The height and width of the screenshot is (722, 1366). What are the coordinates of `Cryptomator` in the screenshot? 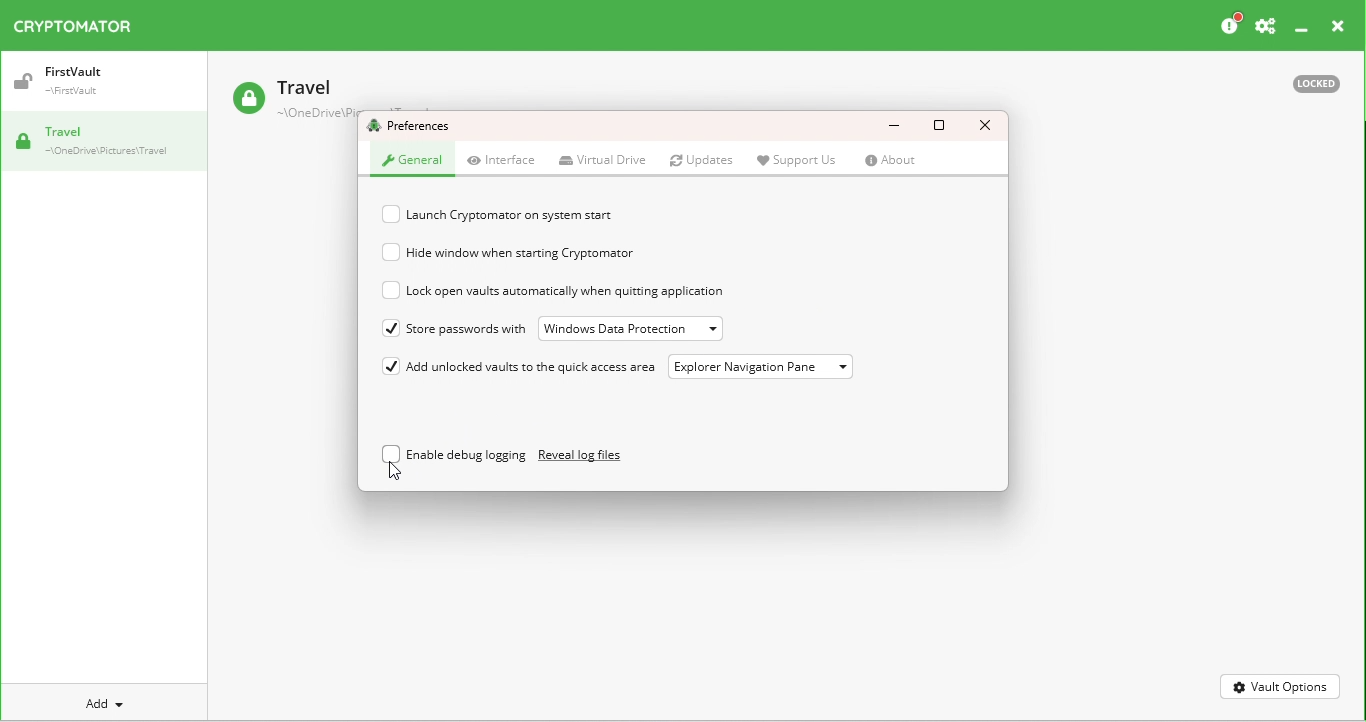 It's located at (80, 26).